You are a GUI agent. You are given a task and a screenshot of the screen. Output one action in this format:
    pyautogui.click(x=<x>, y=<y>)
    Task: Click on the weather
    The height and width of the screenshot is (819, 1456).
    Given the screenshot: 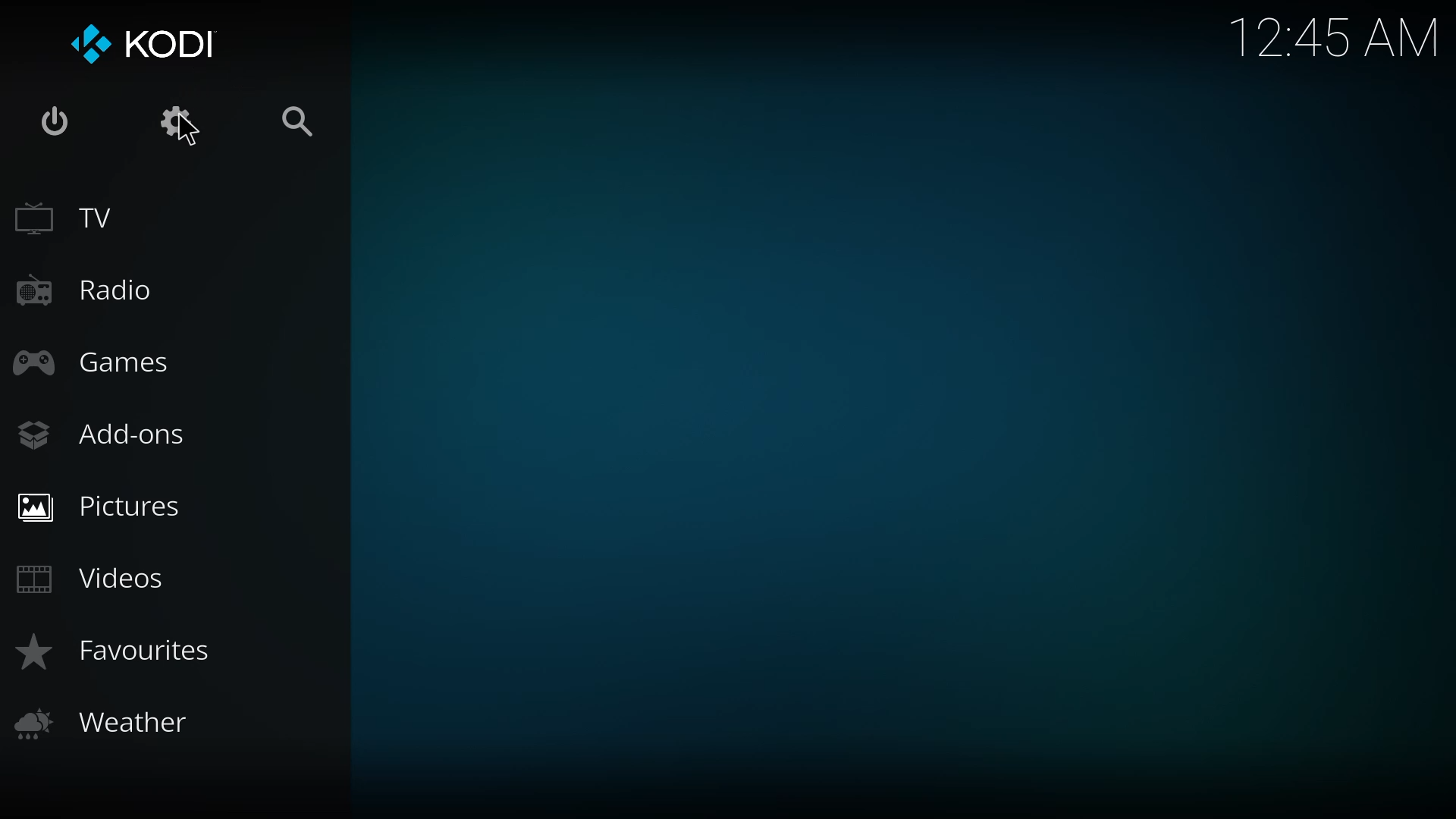 What is the action you would take?
    pyautogui.click(x=103, y=723)
    